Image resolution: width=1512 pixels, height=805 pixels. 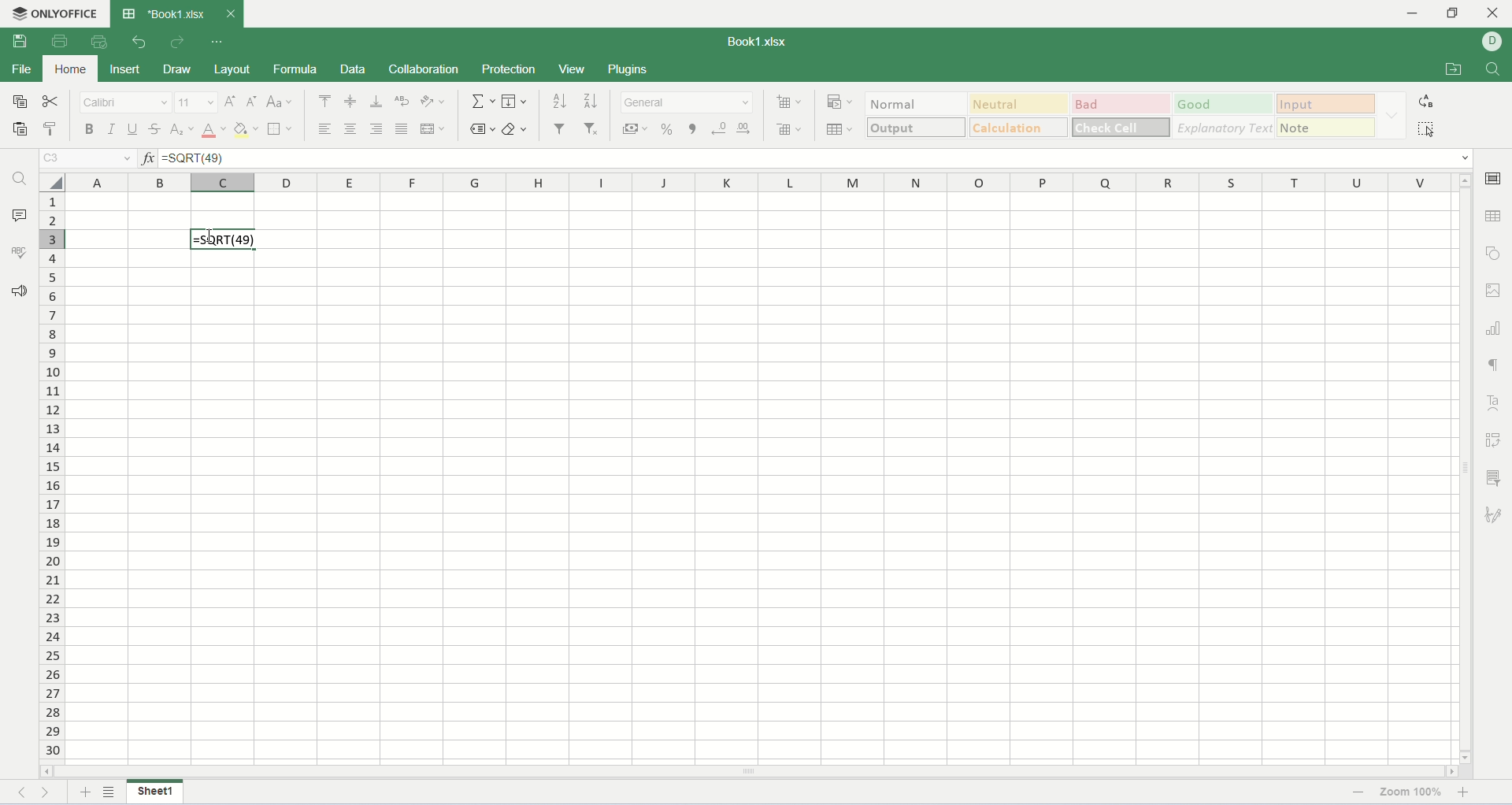 I want to click on align top, so click(x=324, y=101).